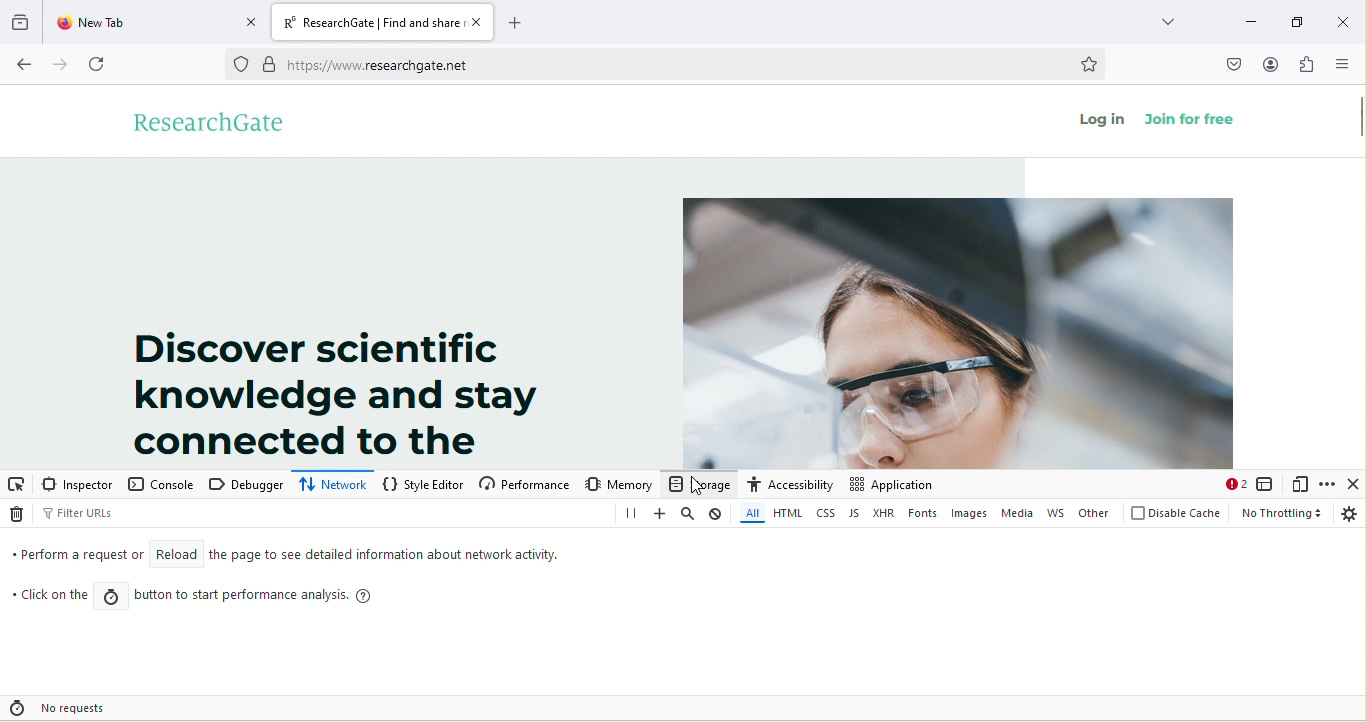  I want to click on filter urls, so click(98, 513).